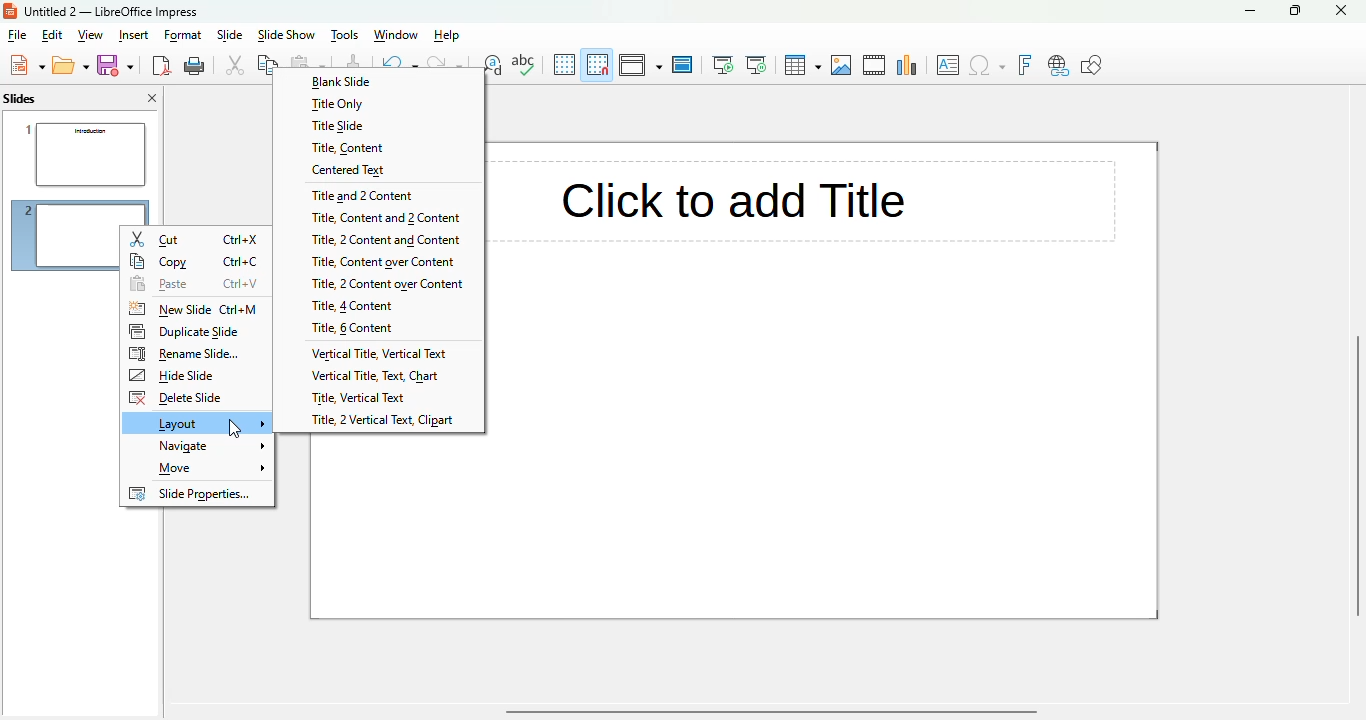 This screenshot has height=720, width=1366. What do you see at coordinates (133, 36) in the screenshot?
I see `insert` at bounding box center [133, 36].